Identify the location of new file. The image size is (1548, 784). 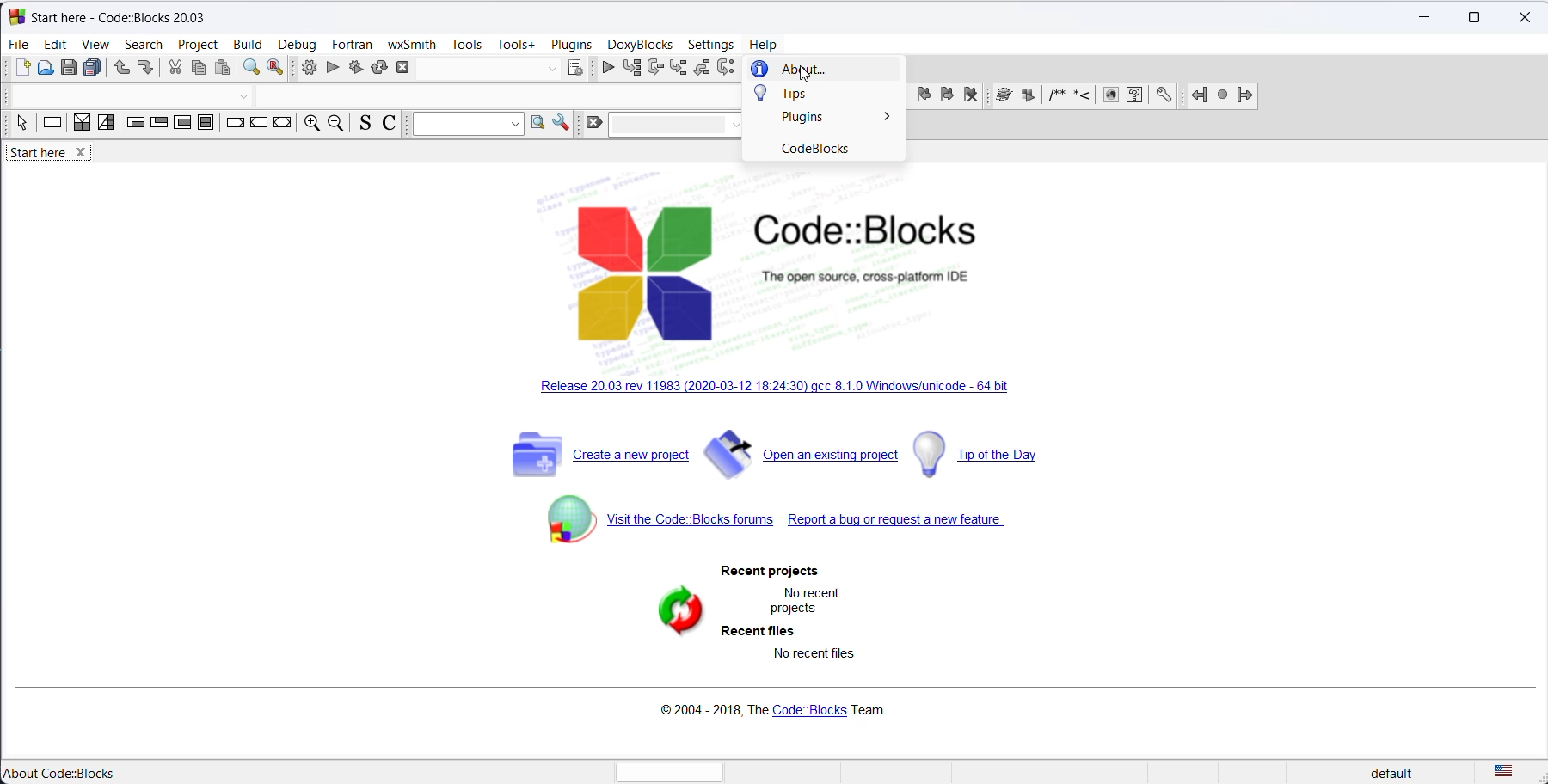
(19, 68).